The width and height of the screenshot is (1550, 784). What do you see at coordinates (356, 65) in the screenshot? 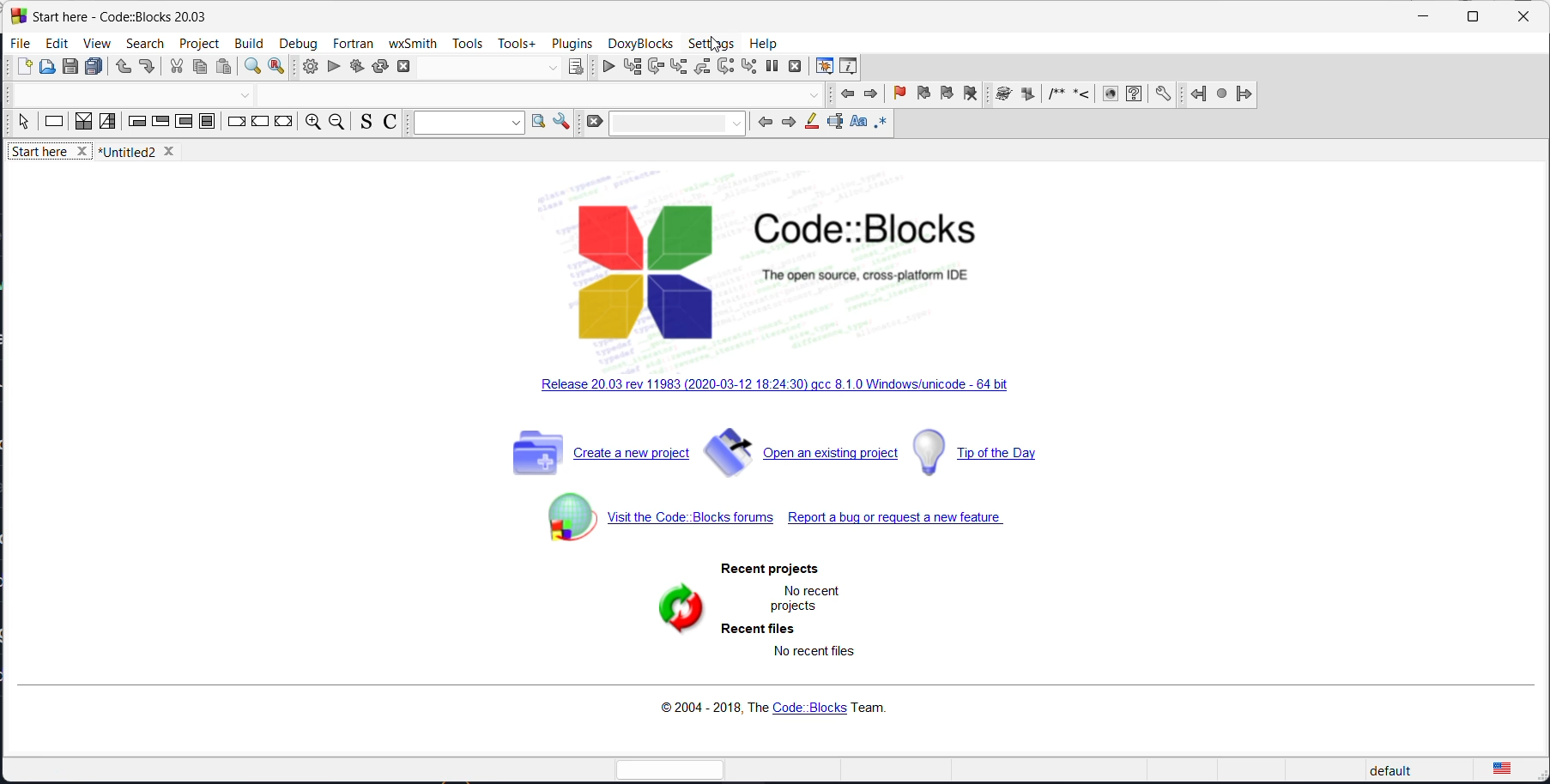
I see `build and run` at bounding box center [356, 65].